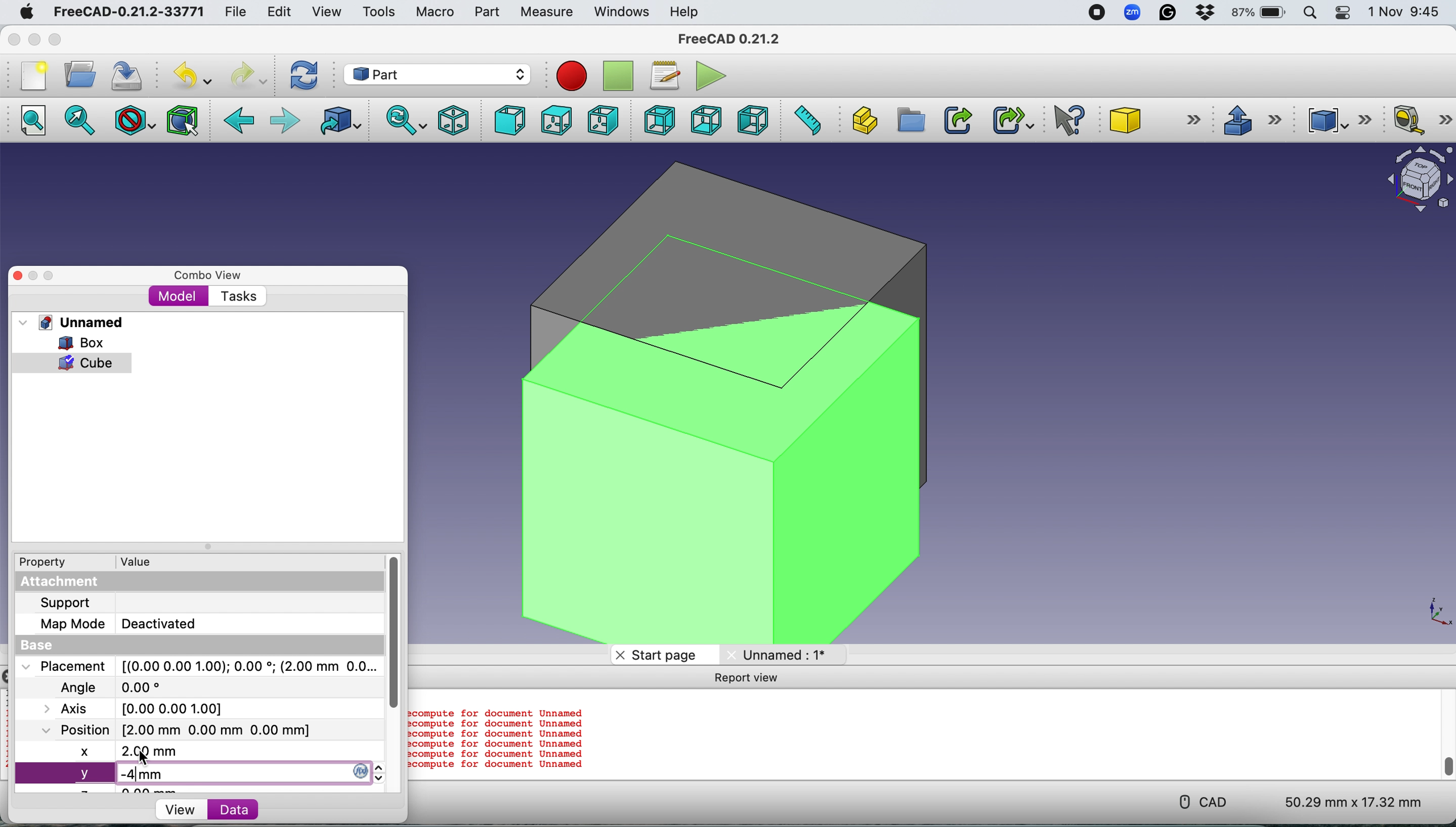 The width and height of the screenshot is (1456, 827). I want to click on compute for document Unnamed, so click(498, 738).